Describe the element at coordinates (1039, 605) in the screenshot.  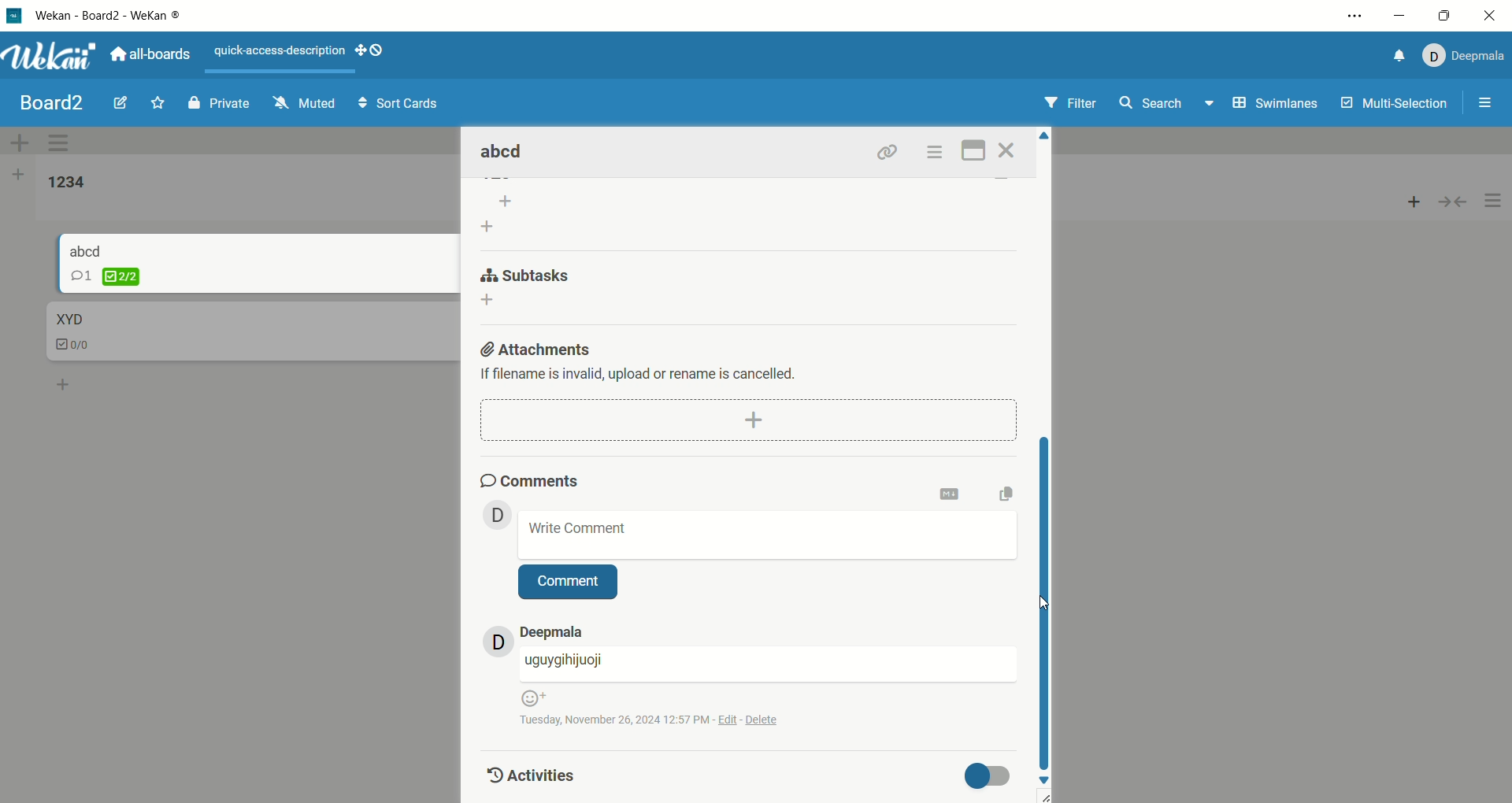
I see `cursor` at that location.